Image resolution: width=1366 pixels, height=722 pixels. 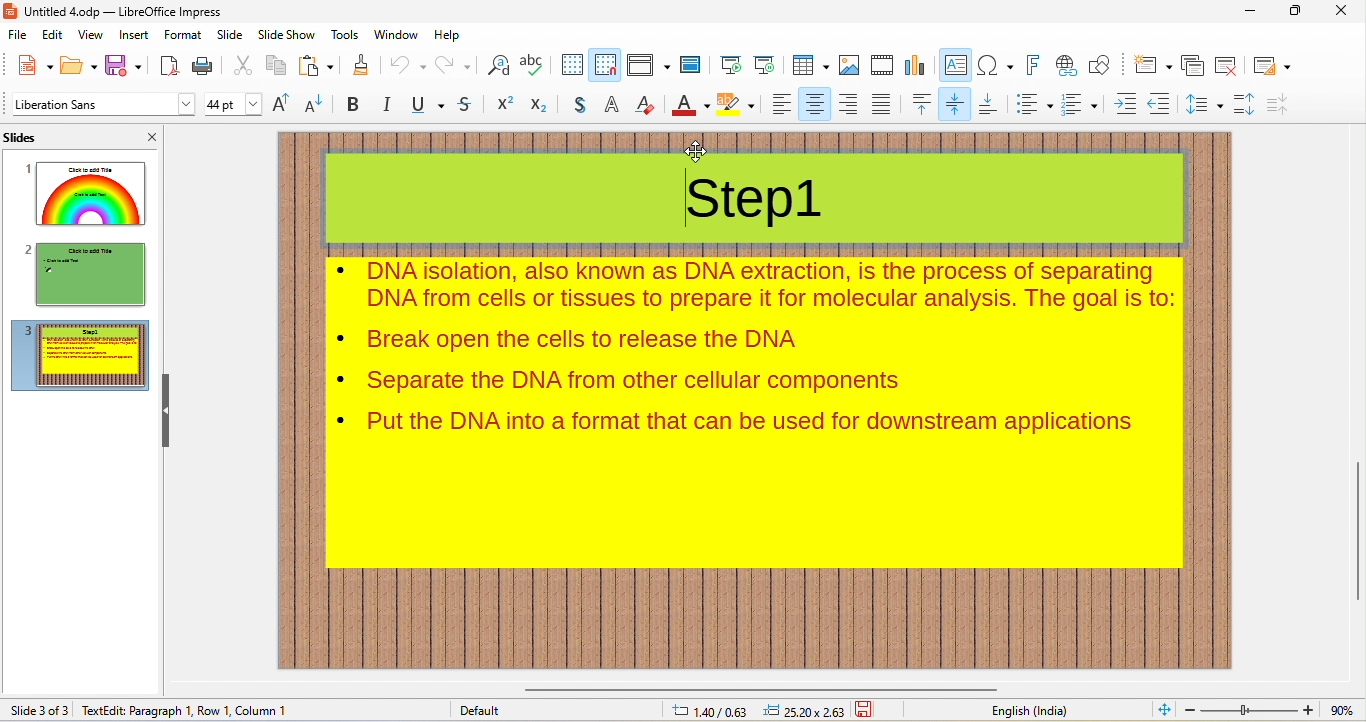 What do you see at coordinates (150, 134) in the screenshot?
I see `close` at bounding box center [150, 134].